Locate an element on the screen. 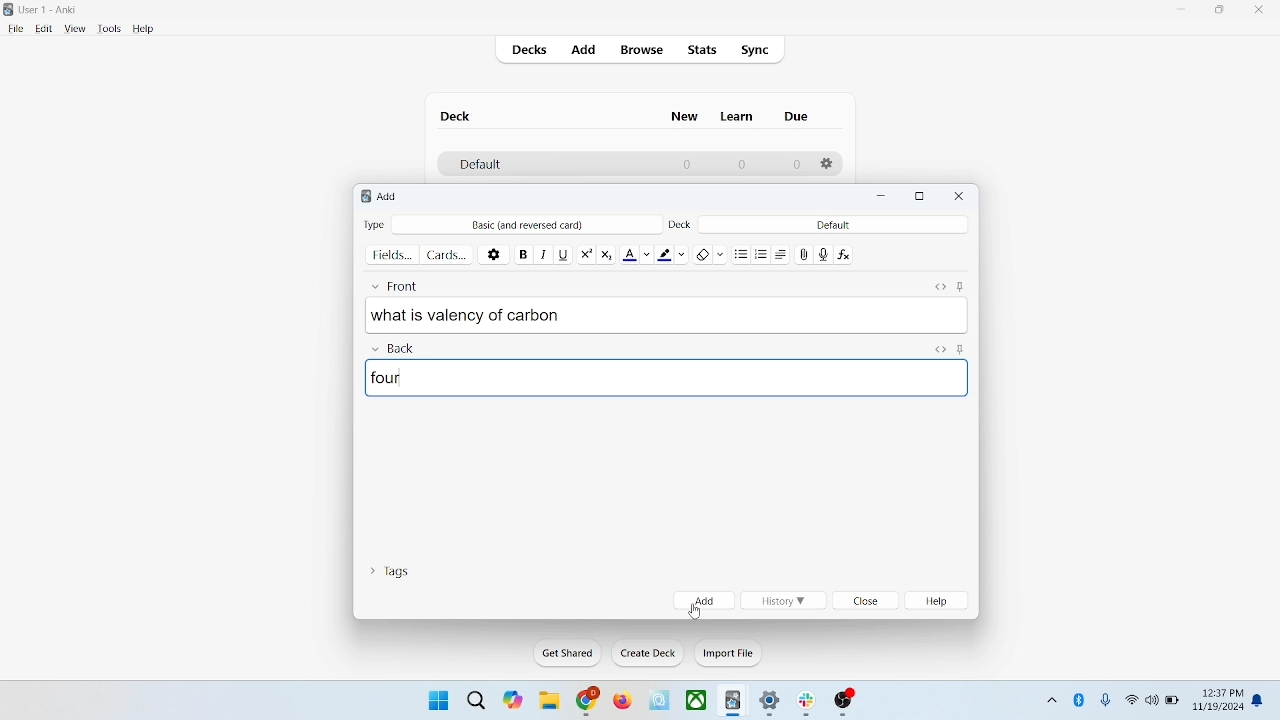 This screenshot has width=1280, height=720. chrome is located at coordinates (588, 701).